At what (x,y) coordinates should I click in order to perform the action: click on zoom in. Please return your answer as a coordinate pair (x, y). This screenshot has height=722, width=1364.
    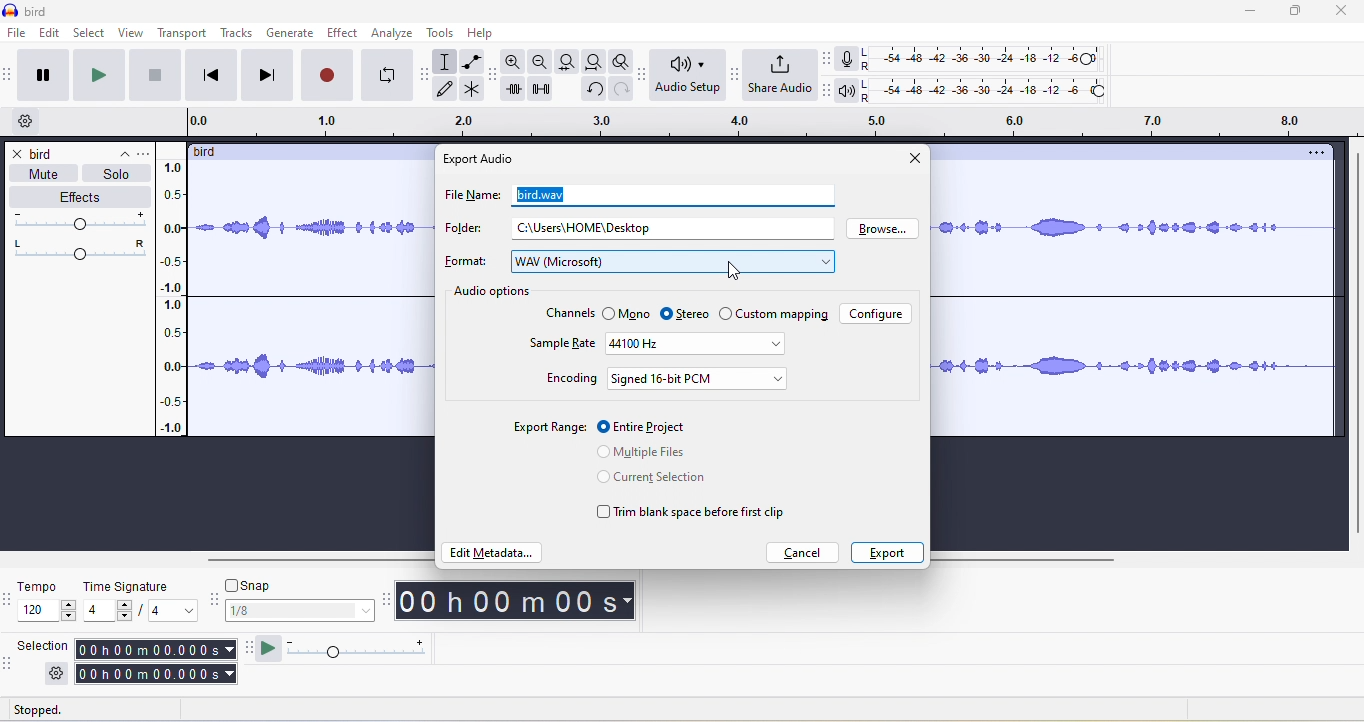
    Looking at the image, I should click on (515, 64).